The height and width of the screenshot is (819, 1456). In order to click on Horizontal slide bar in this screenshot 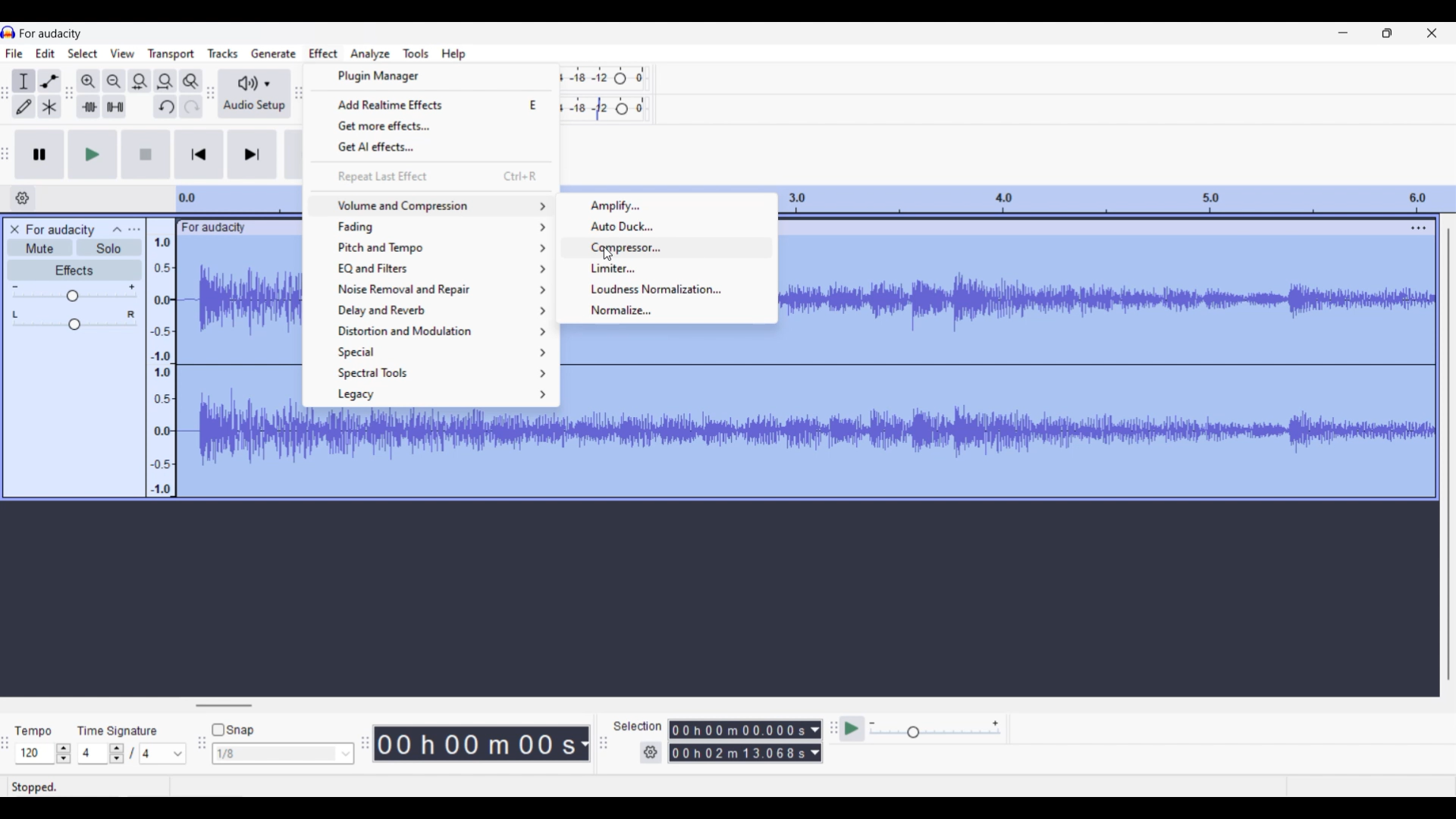, I will do `click(224, 705)`.